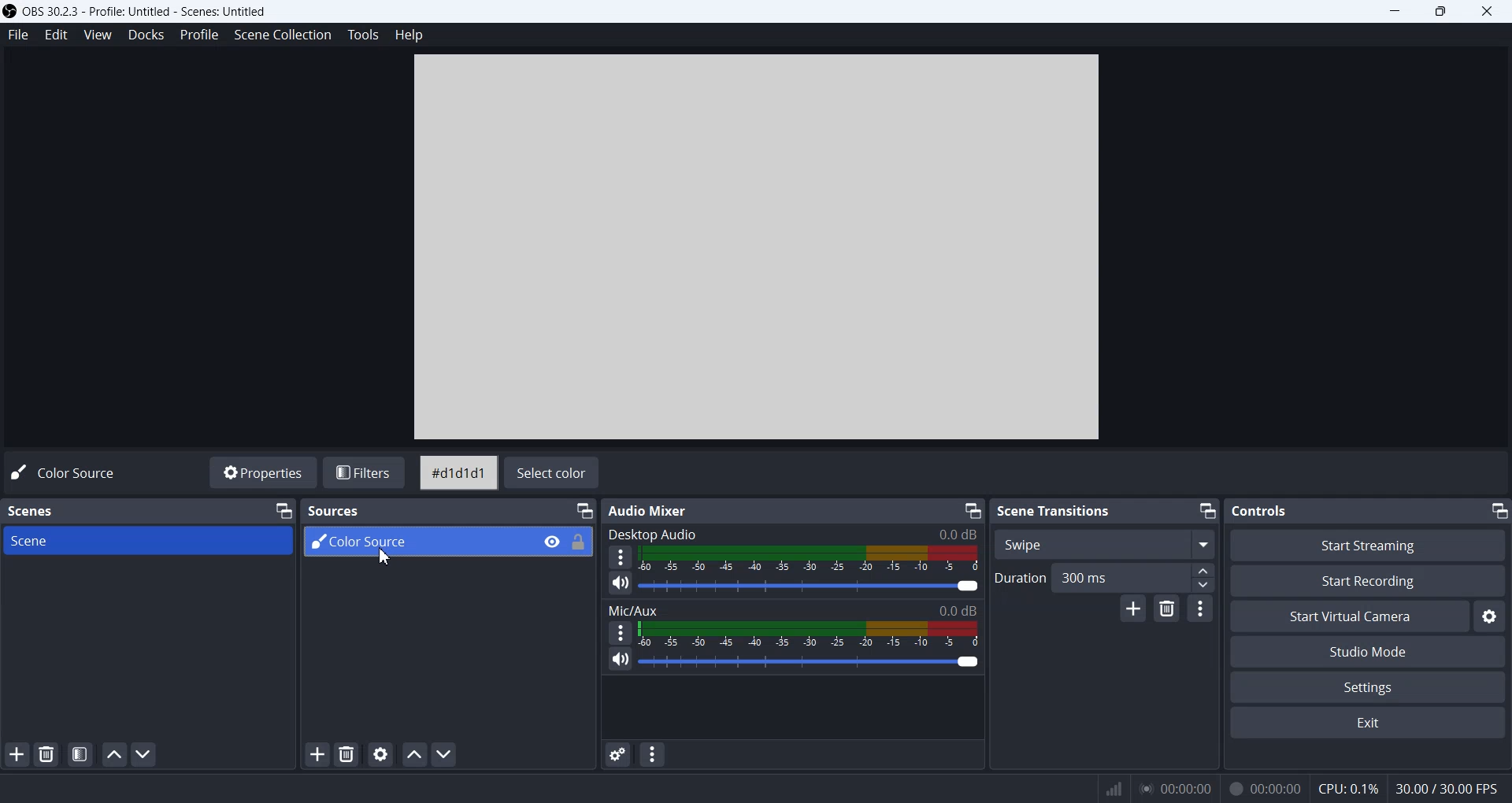  I want to click on Filters, so click(365, 473).